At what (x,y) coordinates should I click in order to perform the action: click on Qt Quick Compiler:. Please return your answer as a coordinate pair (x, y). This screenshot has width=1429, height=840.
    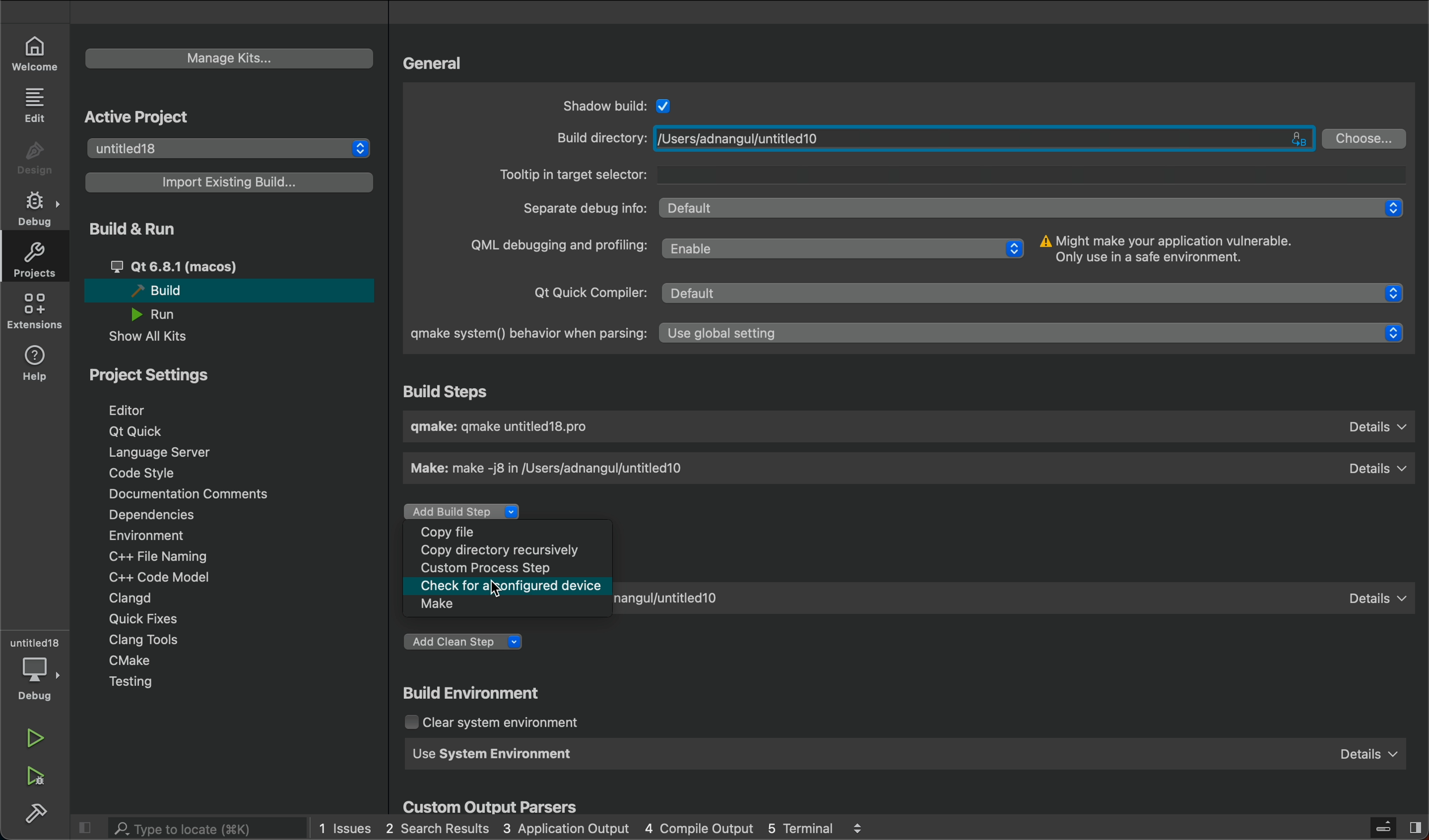
    Looking at the image, I should click on (586, 291).